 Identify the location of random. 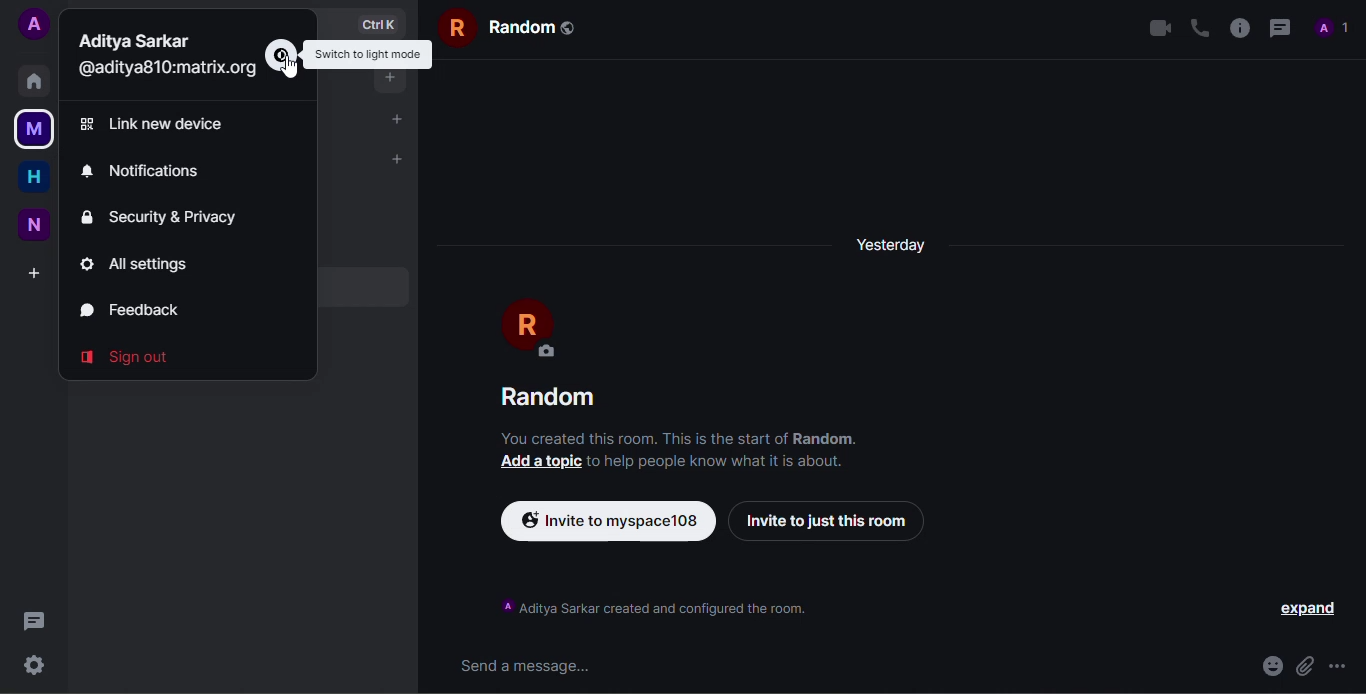
(554, 398).